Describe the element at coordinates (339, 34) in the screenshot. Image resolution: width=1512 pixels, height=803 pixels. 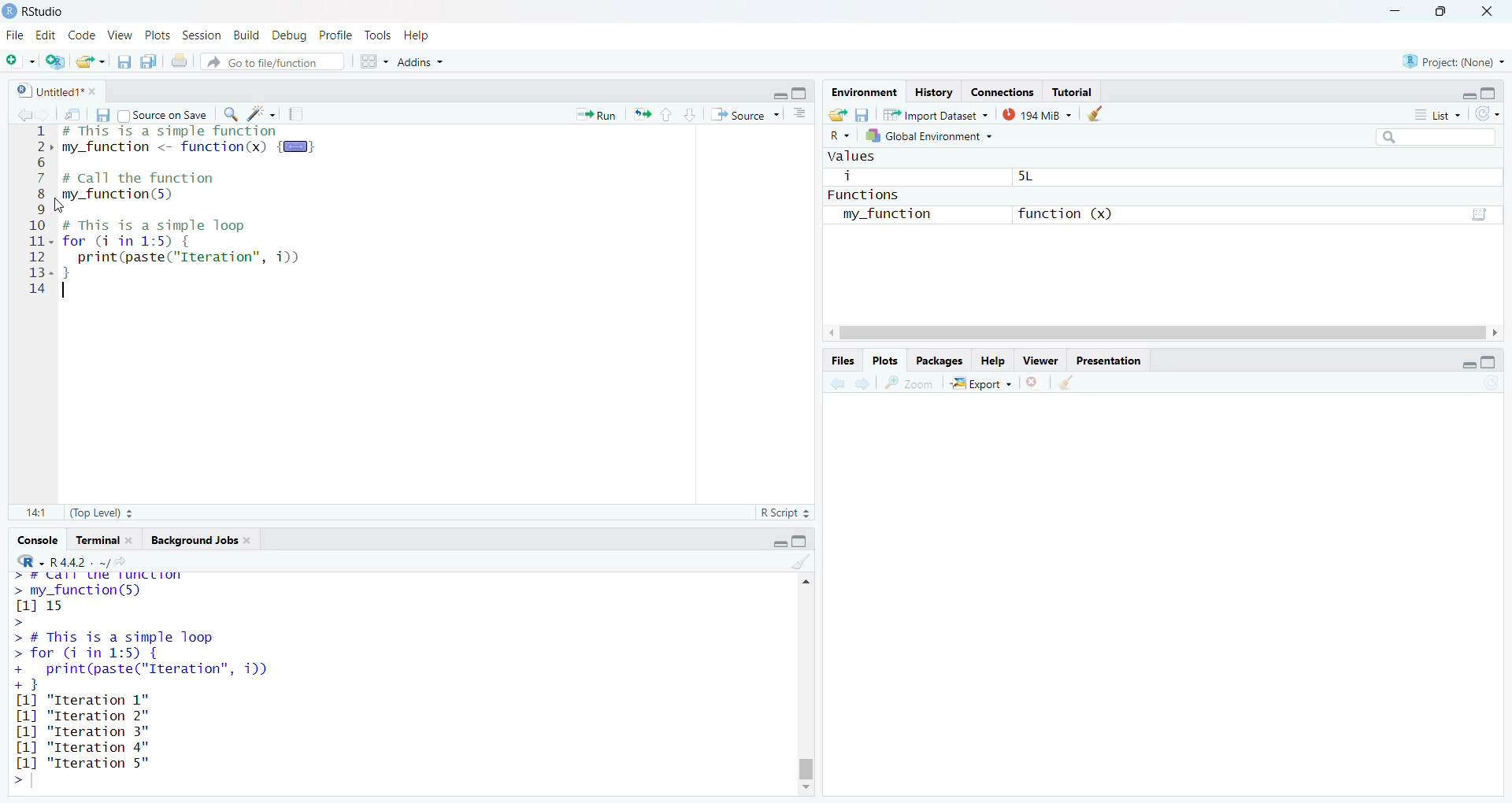
I see `profile` at that location.